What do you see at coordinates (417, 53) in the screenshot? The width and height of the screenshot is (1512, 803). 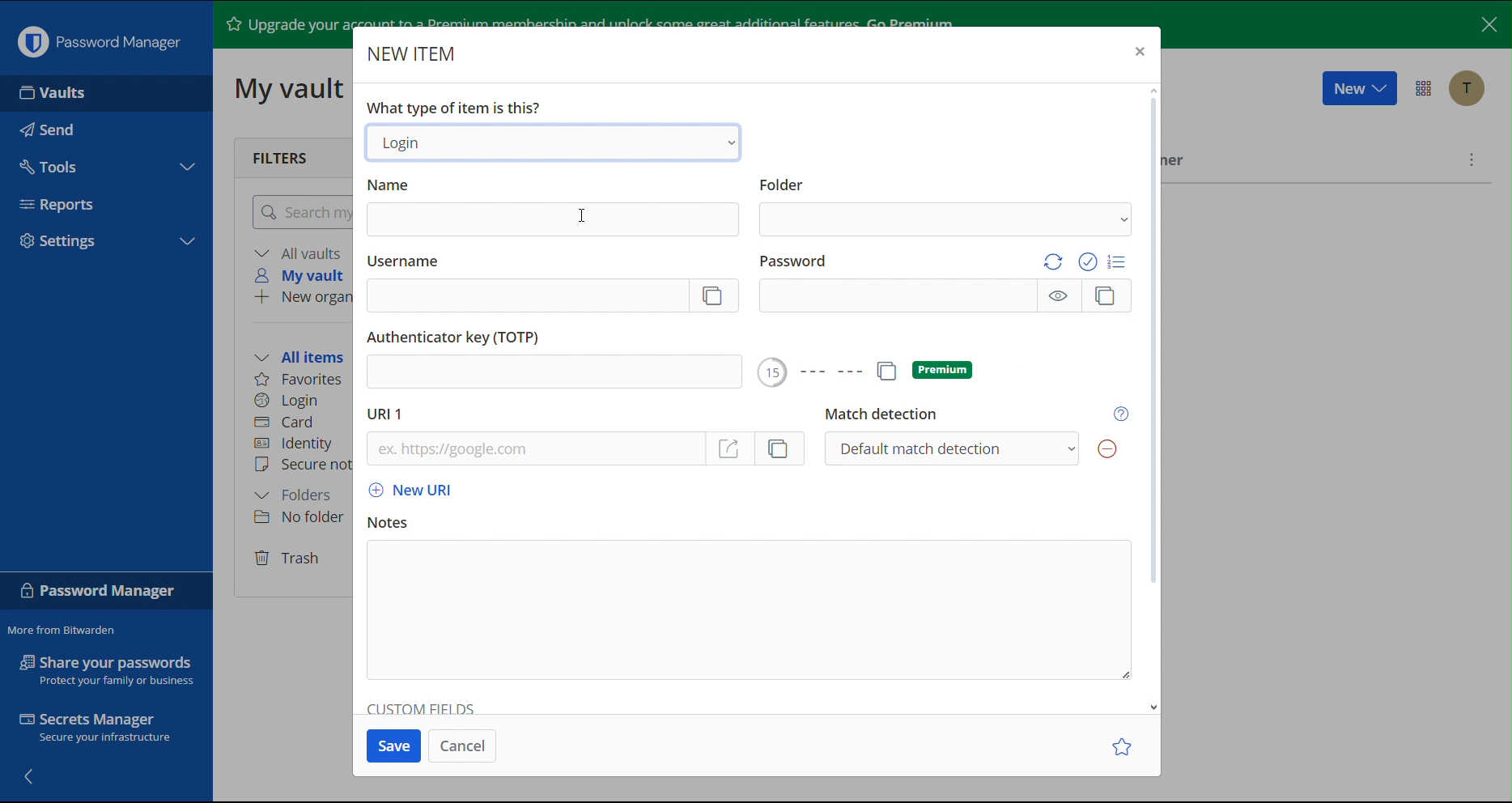 I see `New Item` at bounding box center [417, 53].